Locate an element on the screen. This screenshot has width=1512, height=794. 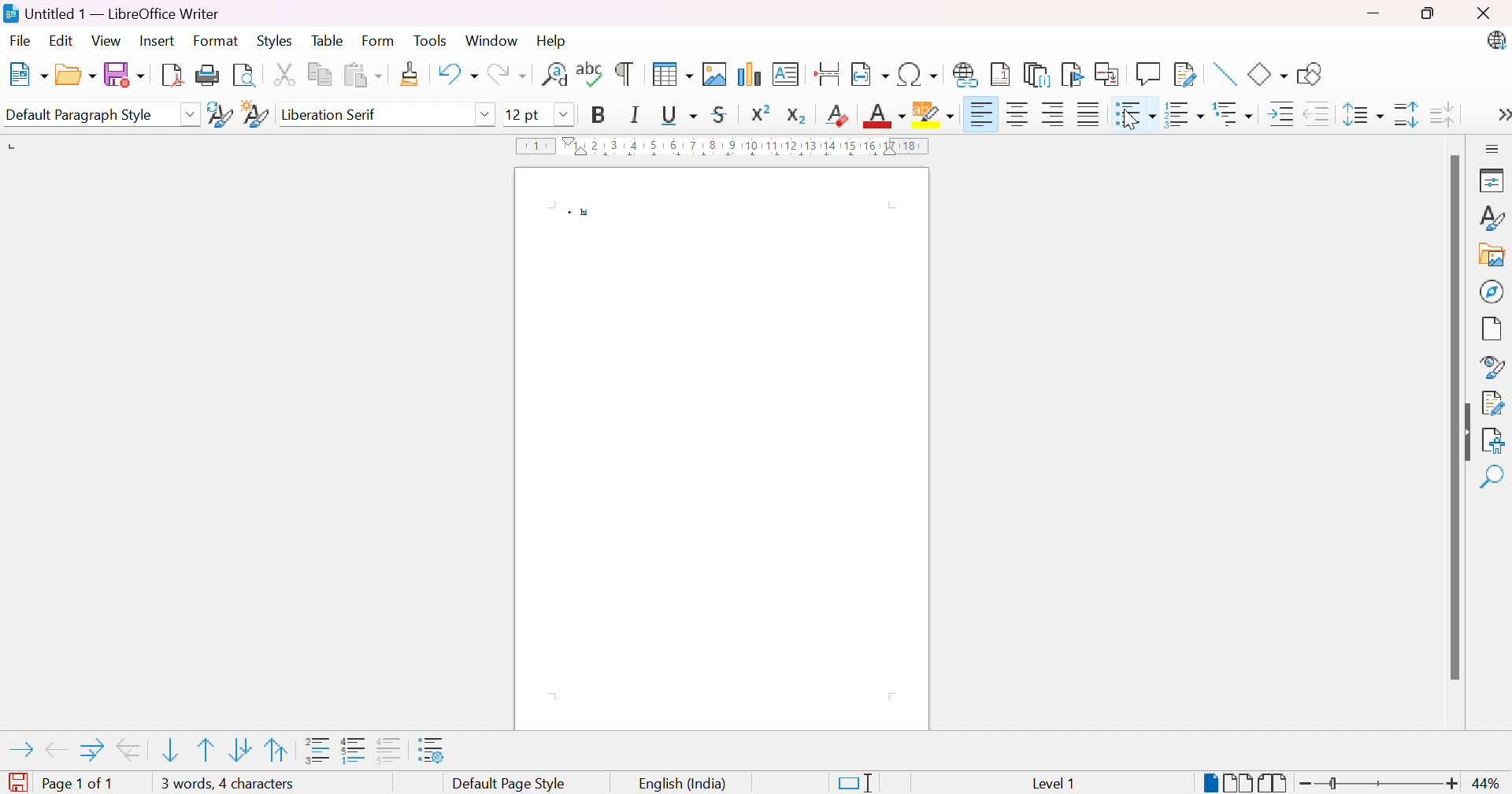
Bullet point is located at coordinates (576, 213).